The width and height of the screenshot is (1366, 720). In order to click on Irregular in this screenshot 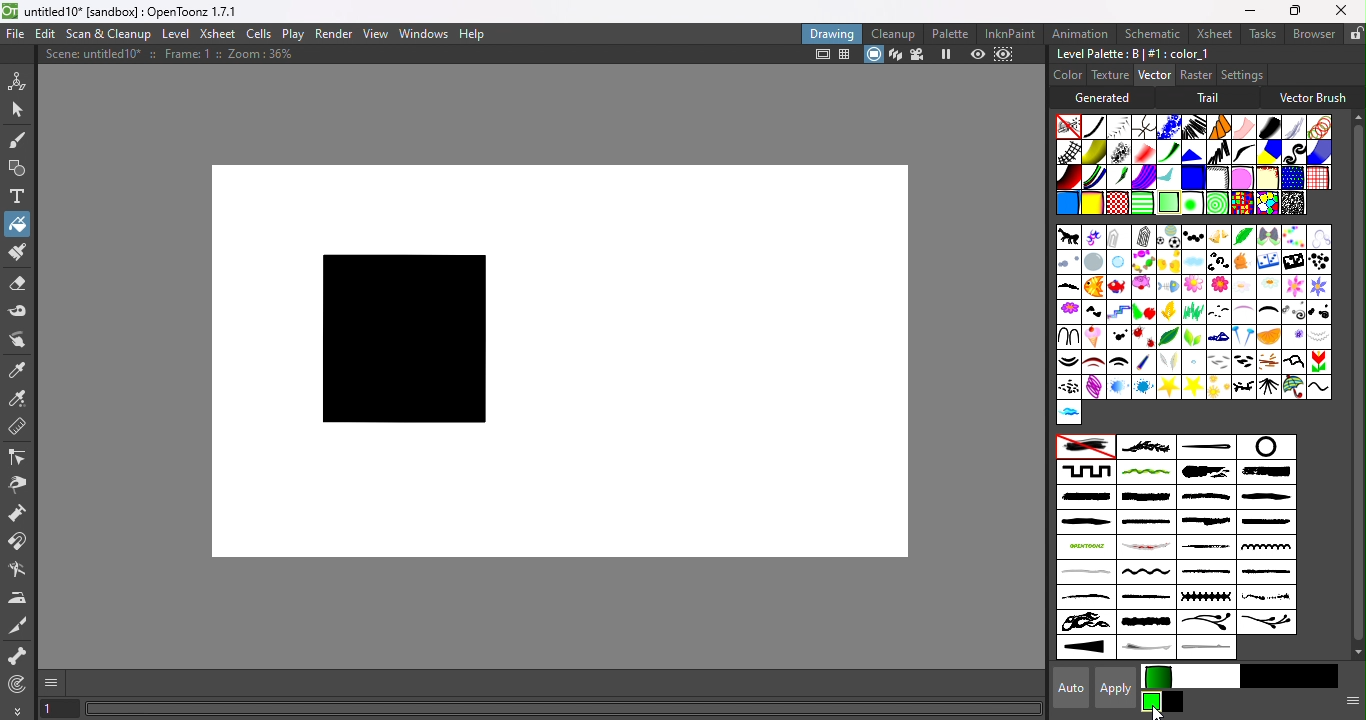, I will do `click(1066, 205)`.